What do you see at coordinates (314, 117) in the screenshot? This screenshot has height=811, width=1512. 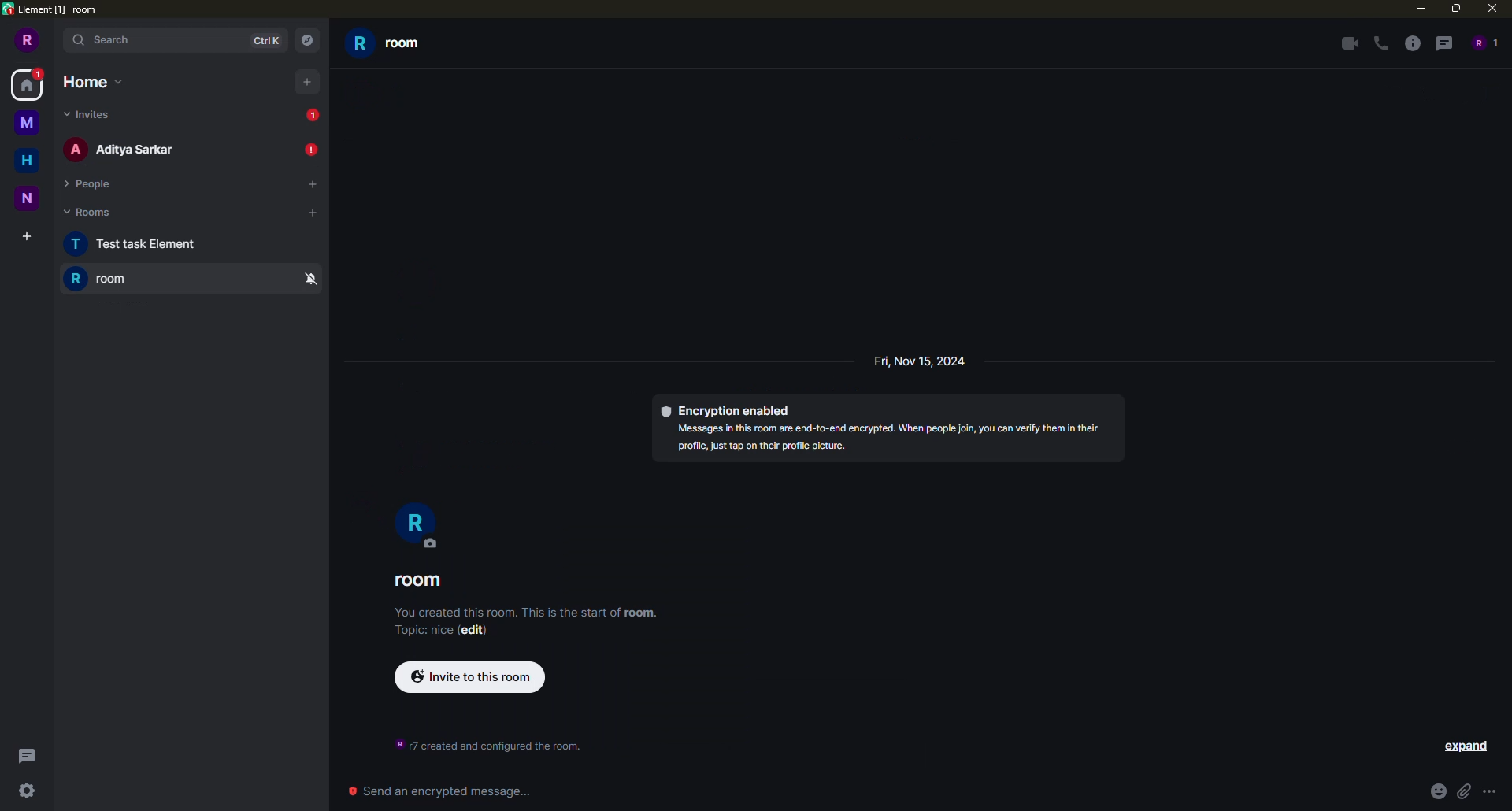 I see `message invite` at bounding box center [314, 117].